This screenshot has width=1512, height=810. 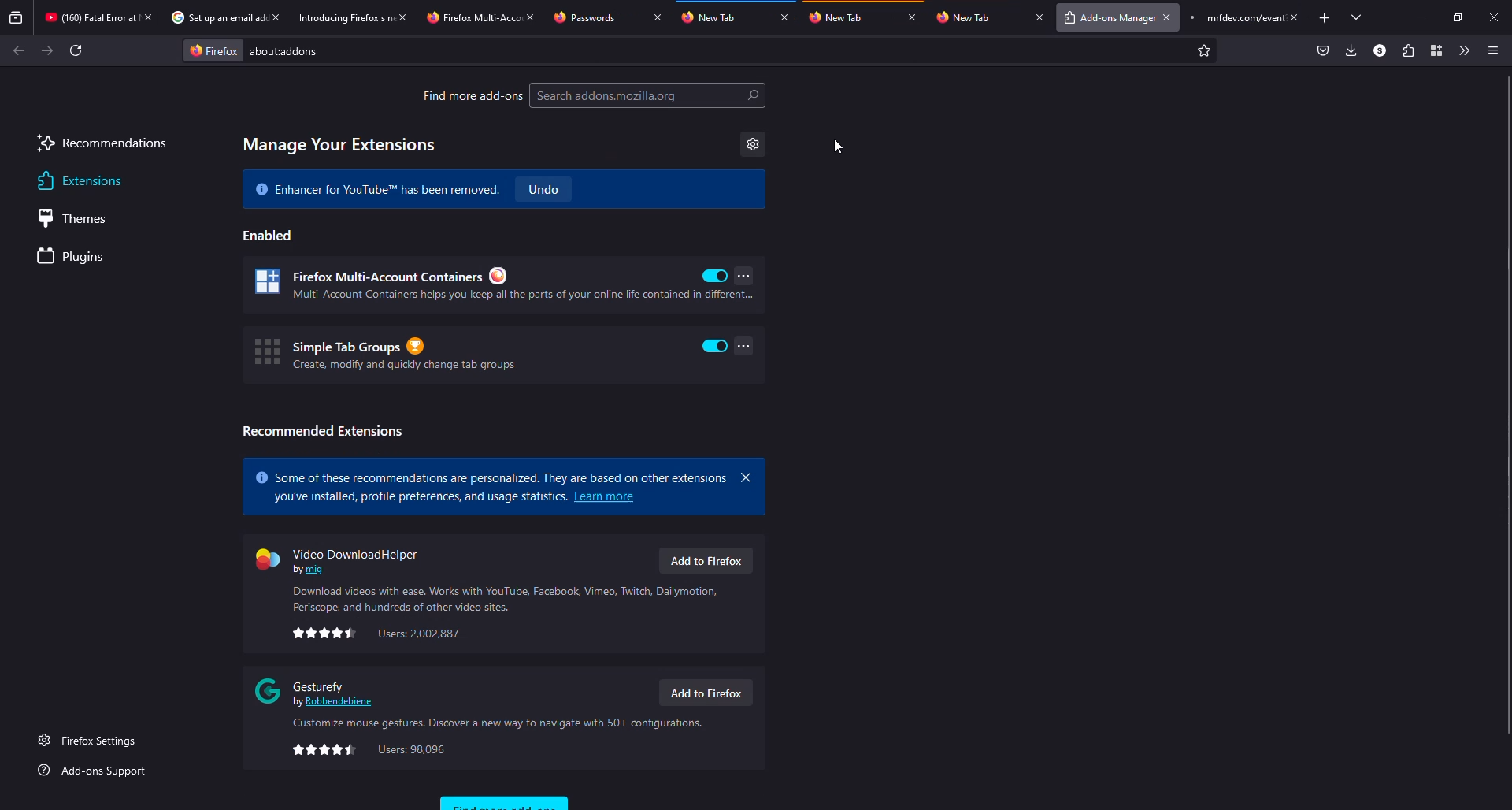 I want to click on Learn more, so click(x=607, y=496).